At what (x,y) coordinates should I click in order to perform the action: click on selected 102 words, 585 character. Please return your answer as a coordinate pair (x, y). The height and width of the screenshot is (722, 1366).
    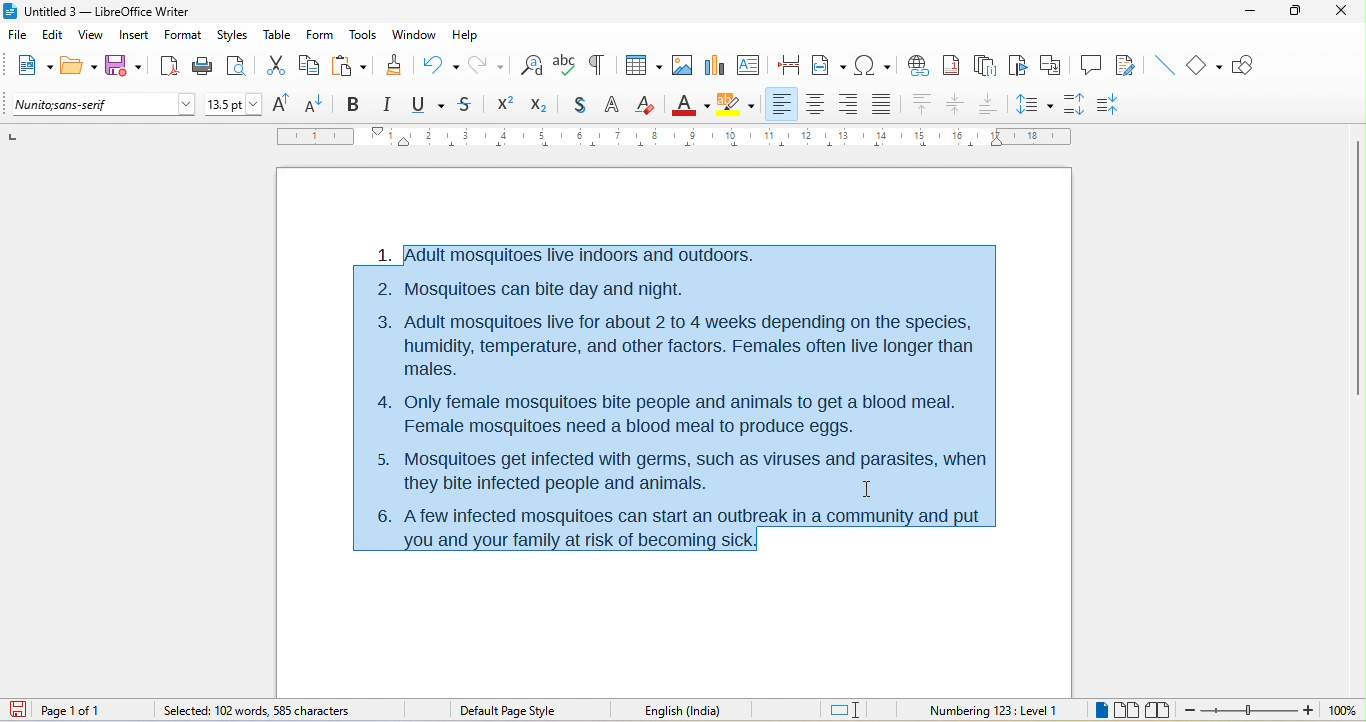
    Looking at the image, I should click on (257, 710).